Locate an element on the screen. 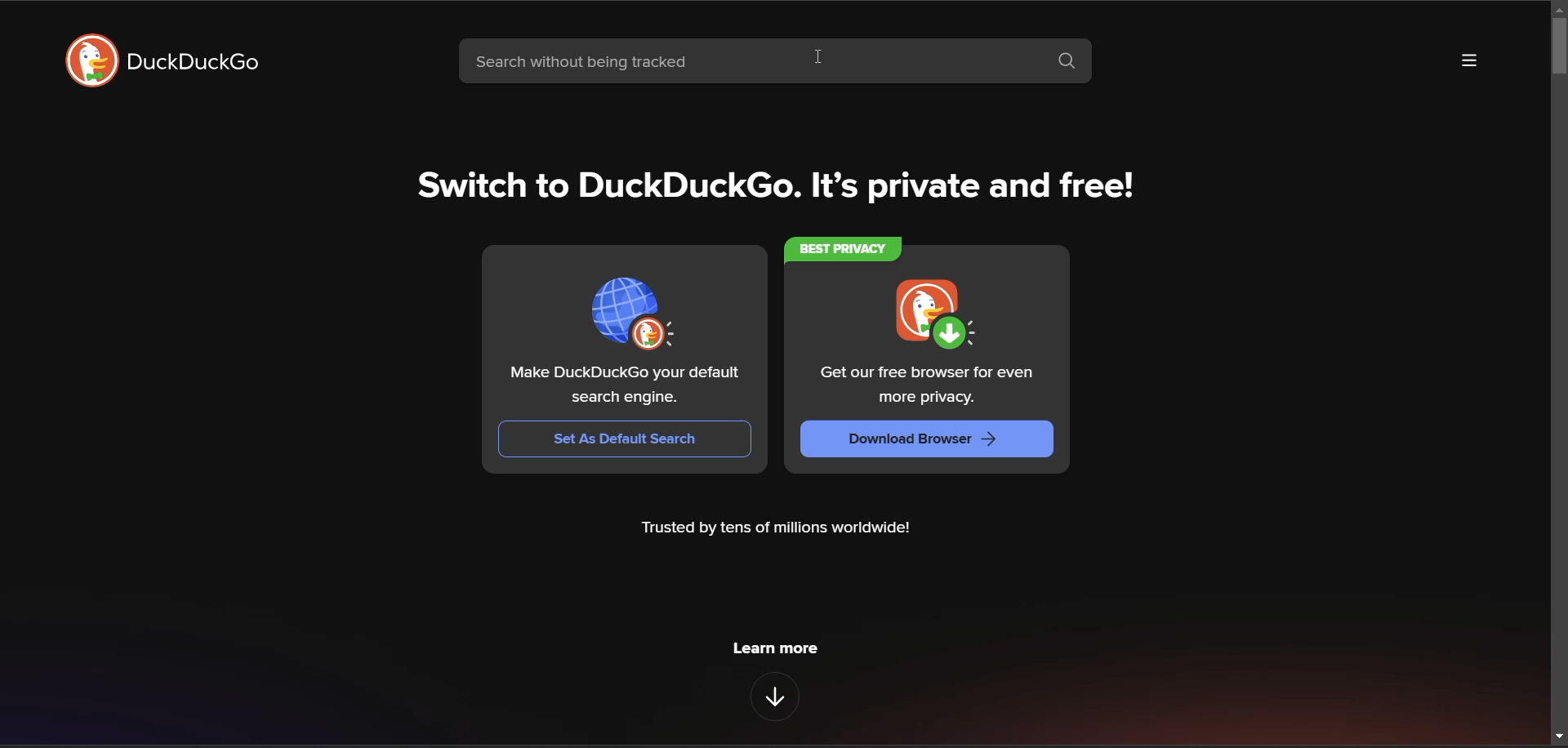  Trusted by tens of millions worldwide! is located at coordinates (781, 531).